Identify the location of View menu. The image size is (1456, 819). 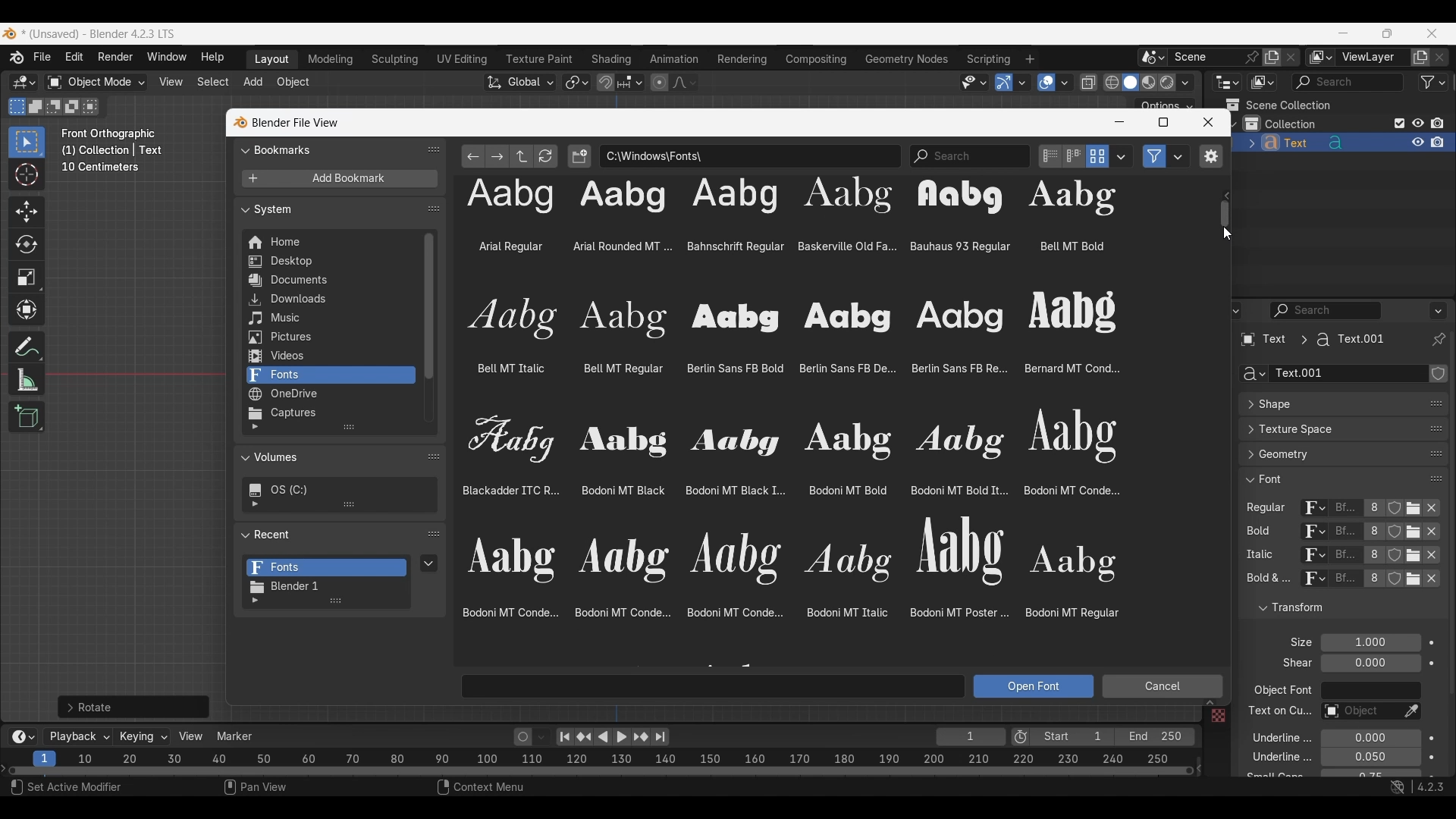
(170, 82).